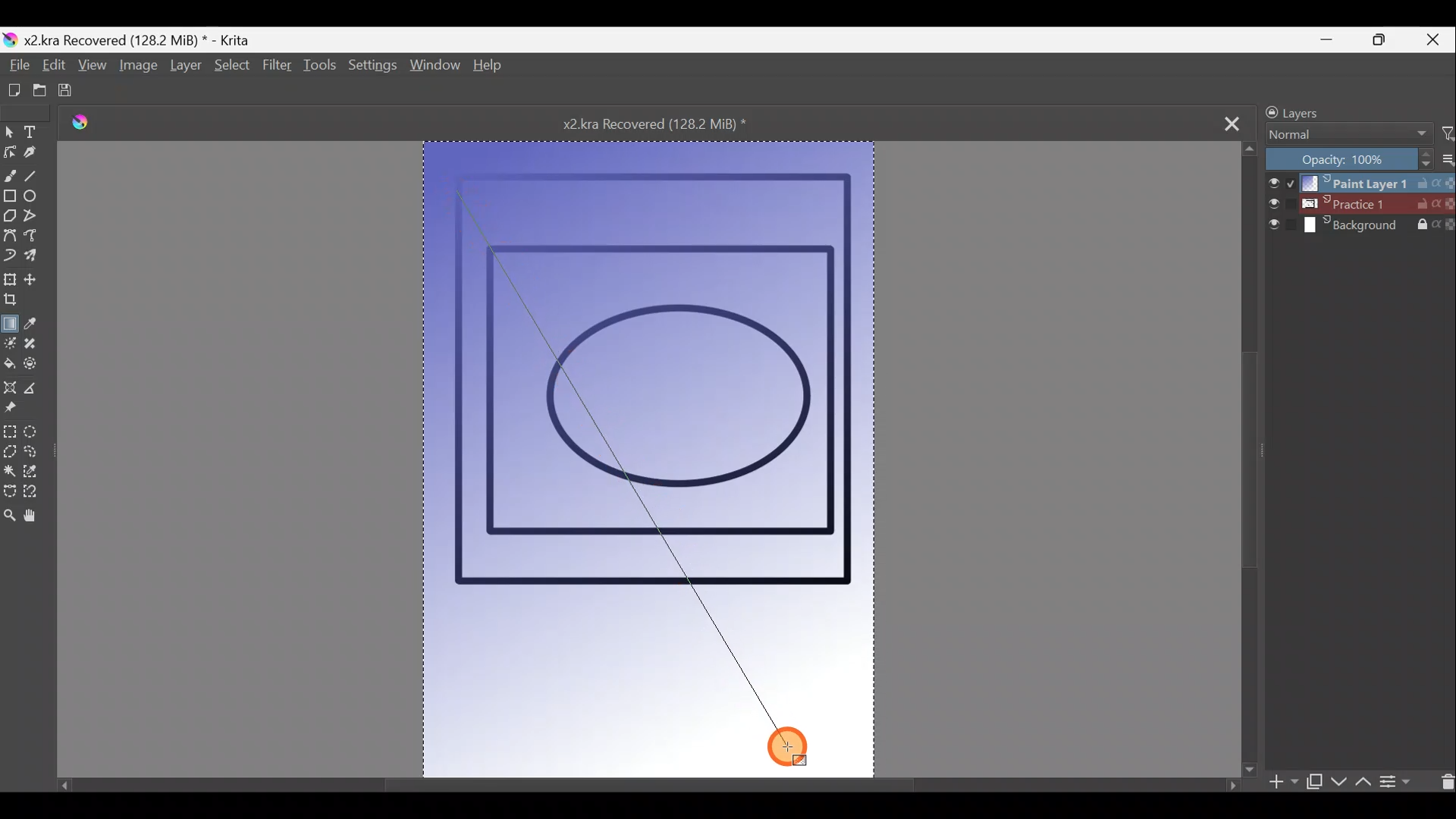 This screenshot has width=1456, height=819. I want to click on Layer 1, so click(1357, 181).